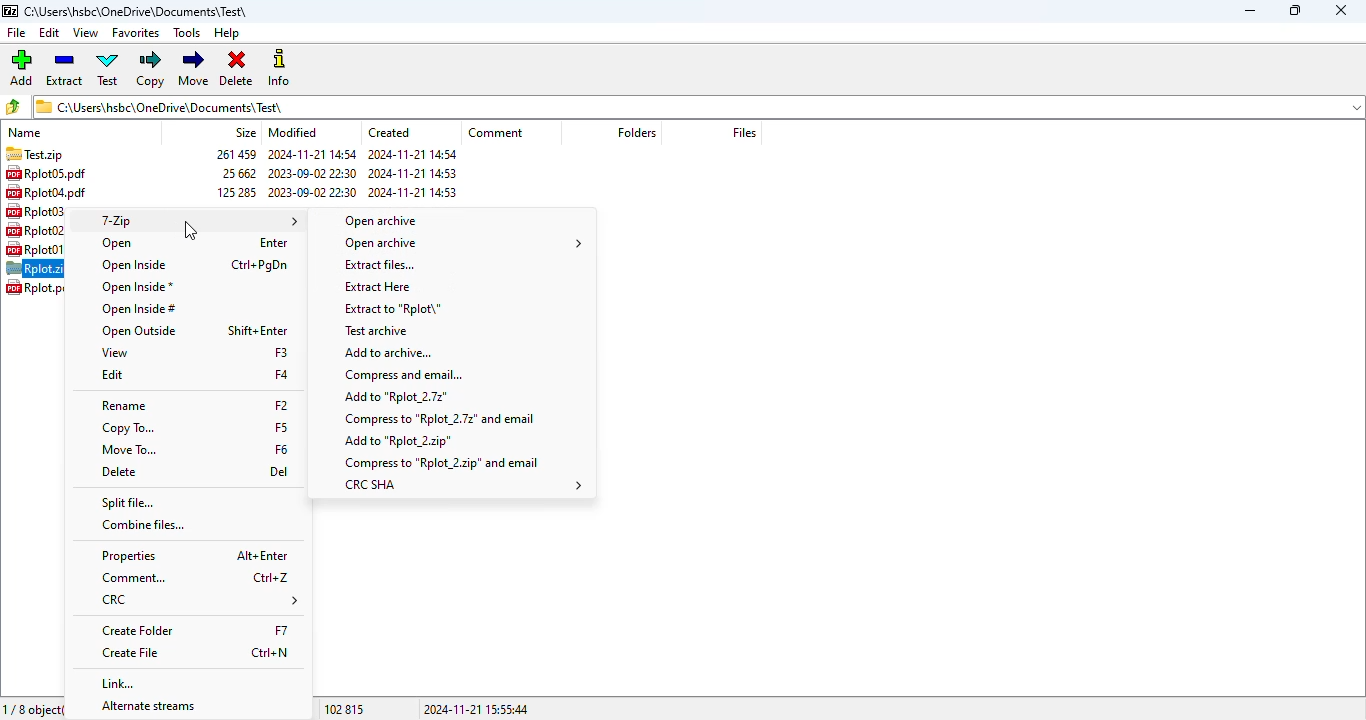  Describe the element at coordinates (129, 450) in the screenshot. I see `move to` at that location.